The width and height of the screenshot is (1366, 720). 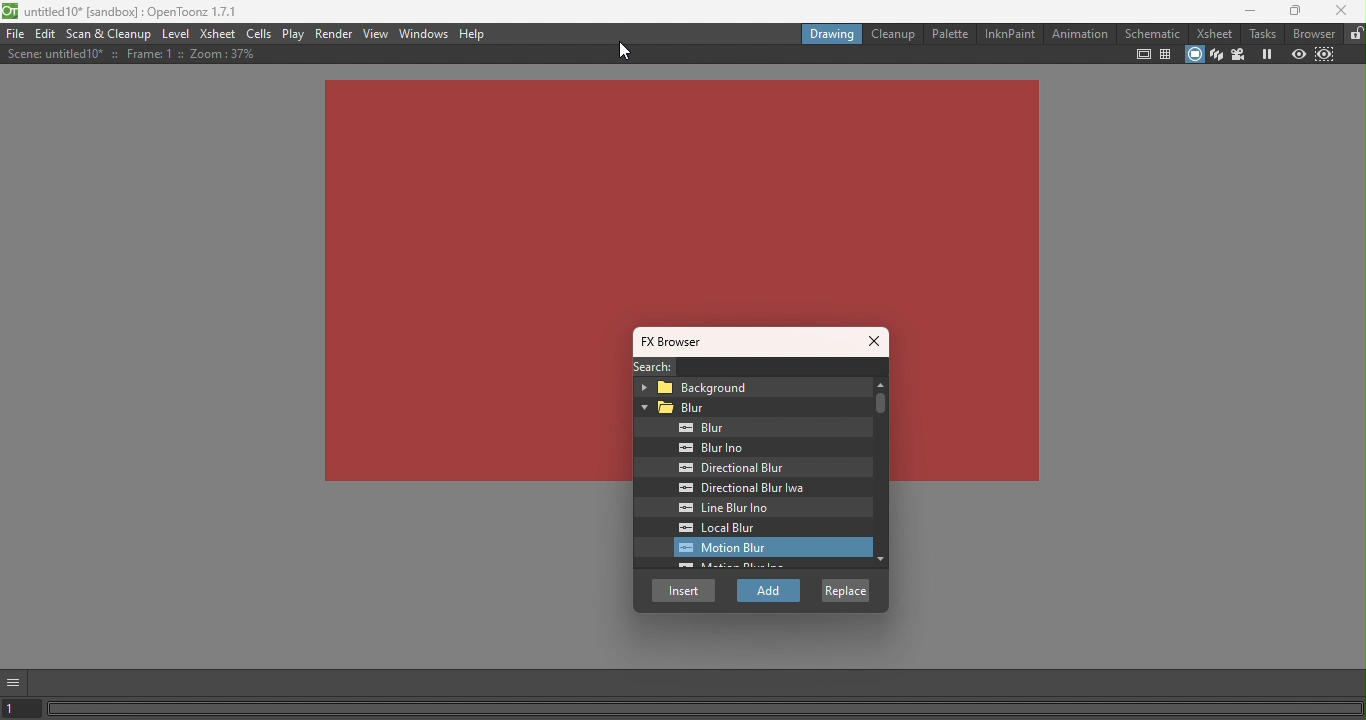 What do you see at coordinates (949, 34) in the screenshot?
I see `Palette` at bounding box center [949, 34].